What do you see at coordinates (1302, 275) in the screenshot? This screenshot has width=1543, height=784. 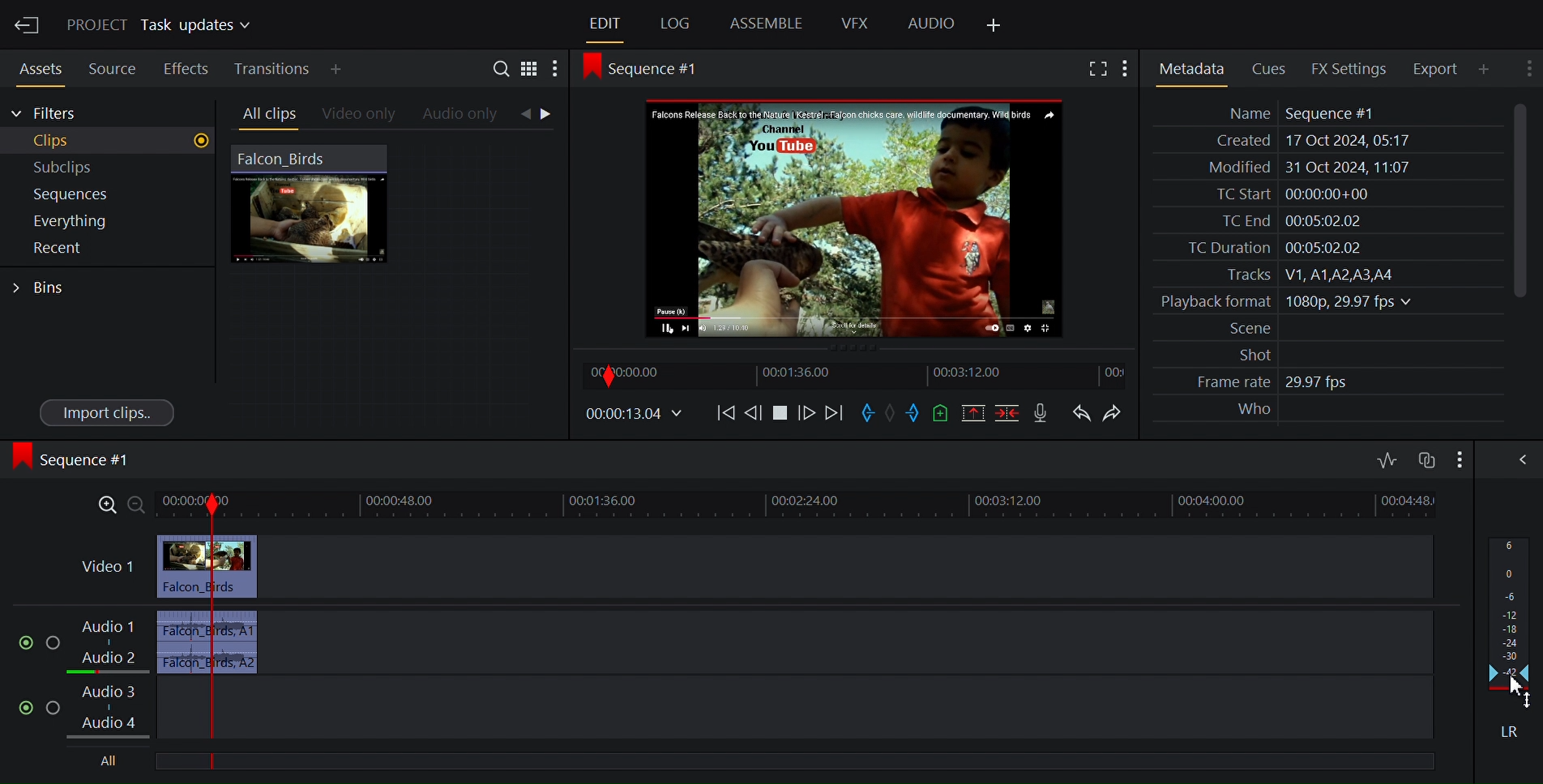 I see `Tracks V1, A1,A2,A3,A4` at bounding box center [1302, 275].